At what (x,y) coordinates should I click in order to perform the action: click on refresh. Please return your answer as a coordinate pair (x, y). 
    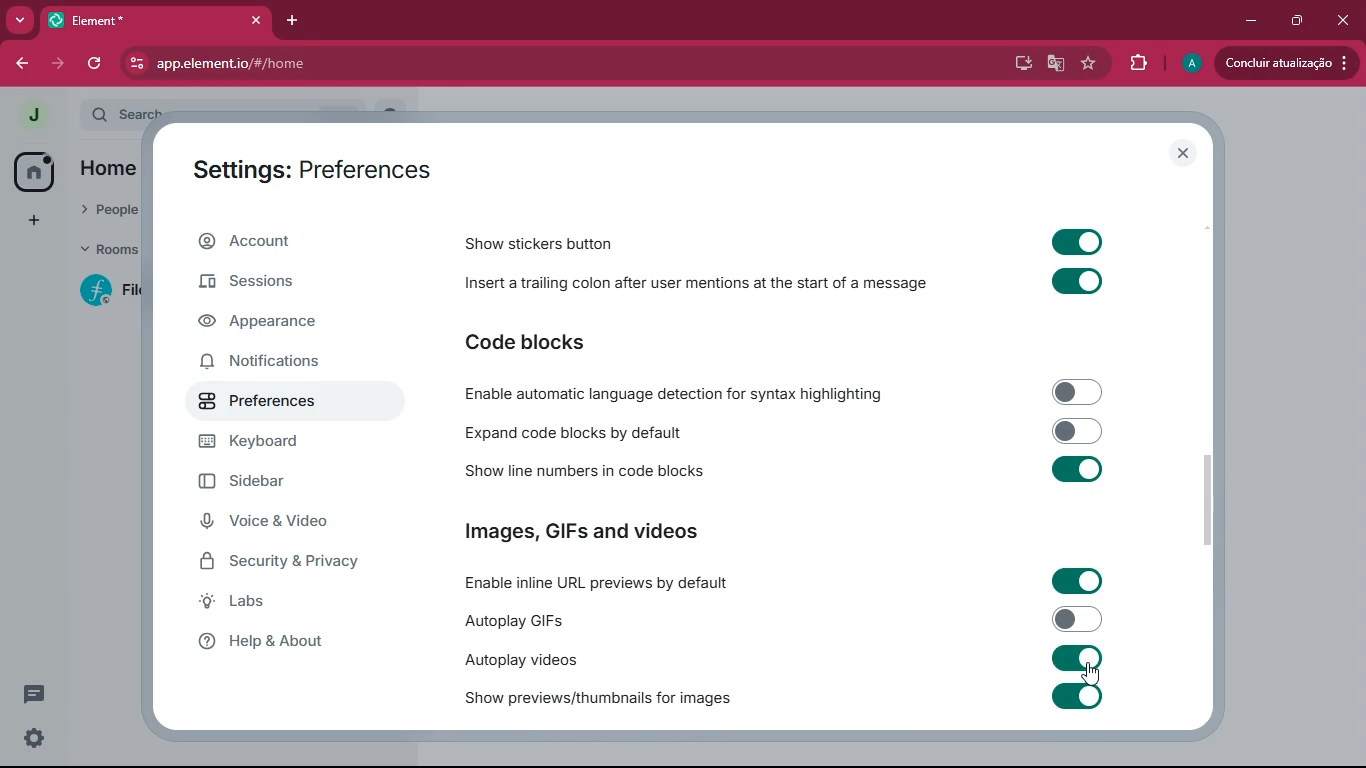
    Looking at the image, I should click on (96, 63).